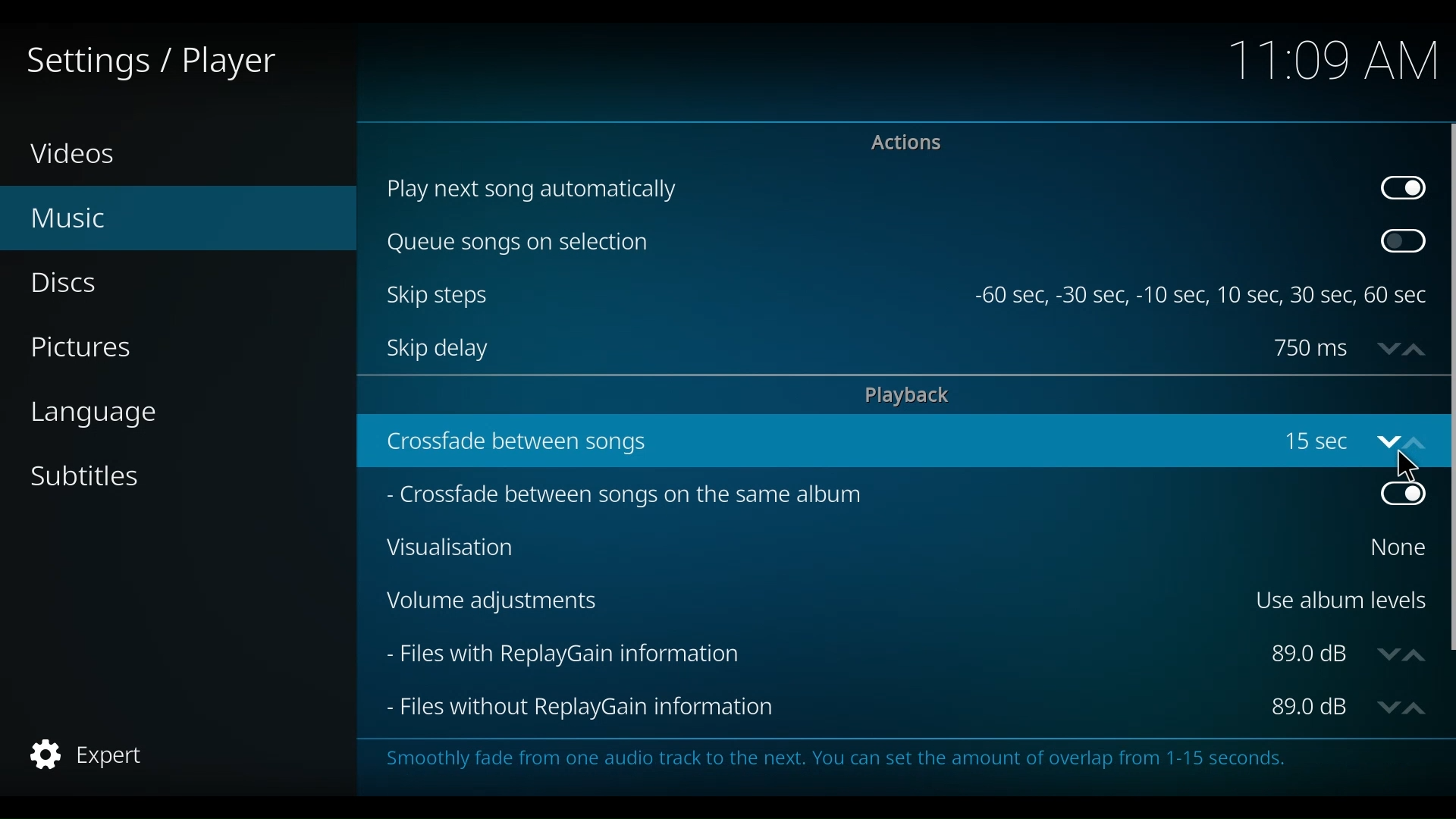  What do you see at coordinates (856, 190) in the screenshot?
I see `Play next song automatically` at bounding box center [856, 190].